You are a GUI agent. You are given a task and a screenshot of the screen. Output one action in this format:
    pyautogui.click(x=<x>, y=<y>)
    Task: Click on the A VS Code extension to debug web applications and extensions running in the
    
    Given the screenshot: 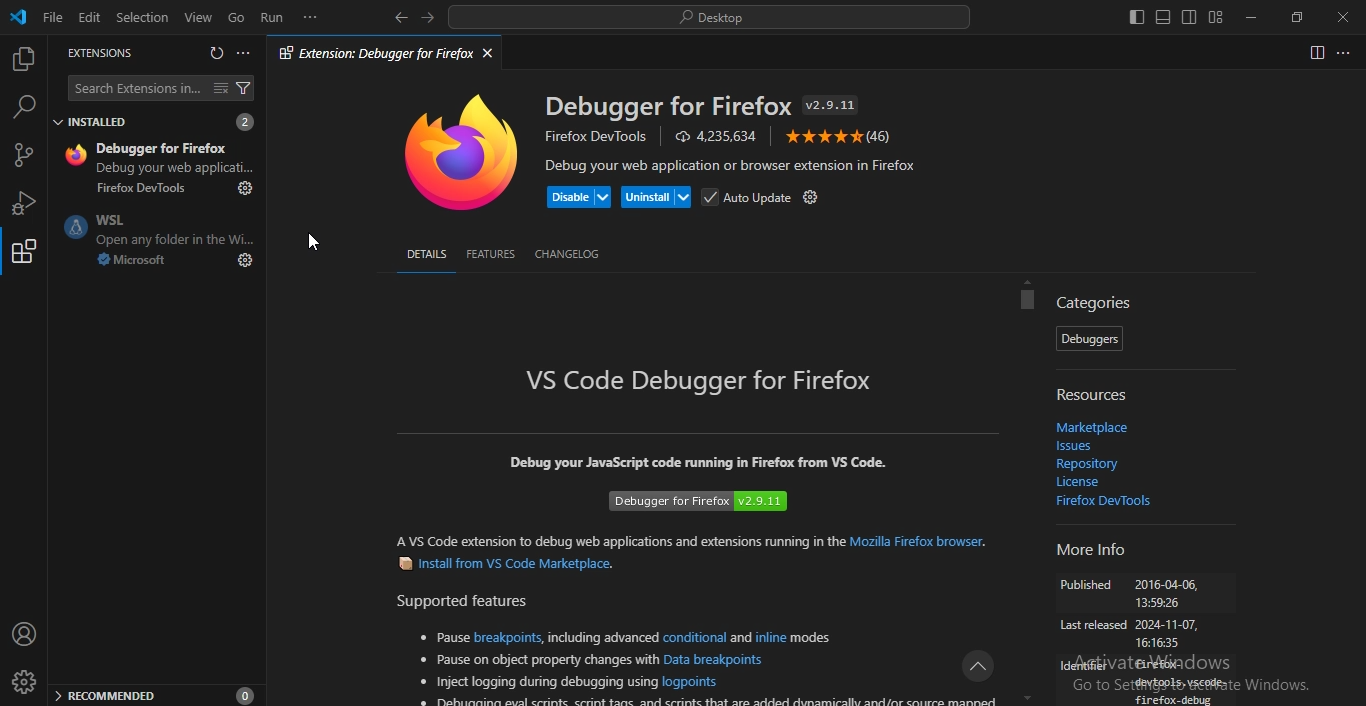 What is the action you would take?
    pyautogui.click(x=619, y=540)
    